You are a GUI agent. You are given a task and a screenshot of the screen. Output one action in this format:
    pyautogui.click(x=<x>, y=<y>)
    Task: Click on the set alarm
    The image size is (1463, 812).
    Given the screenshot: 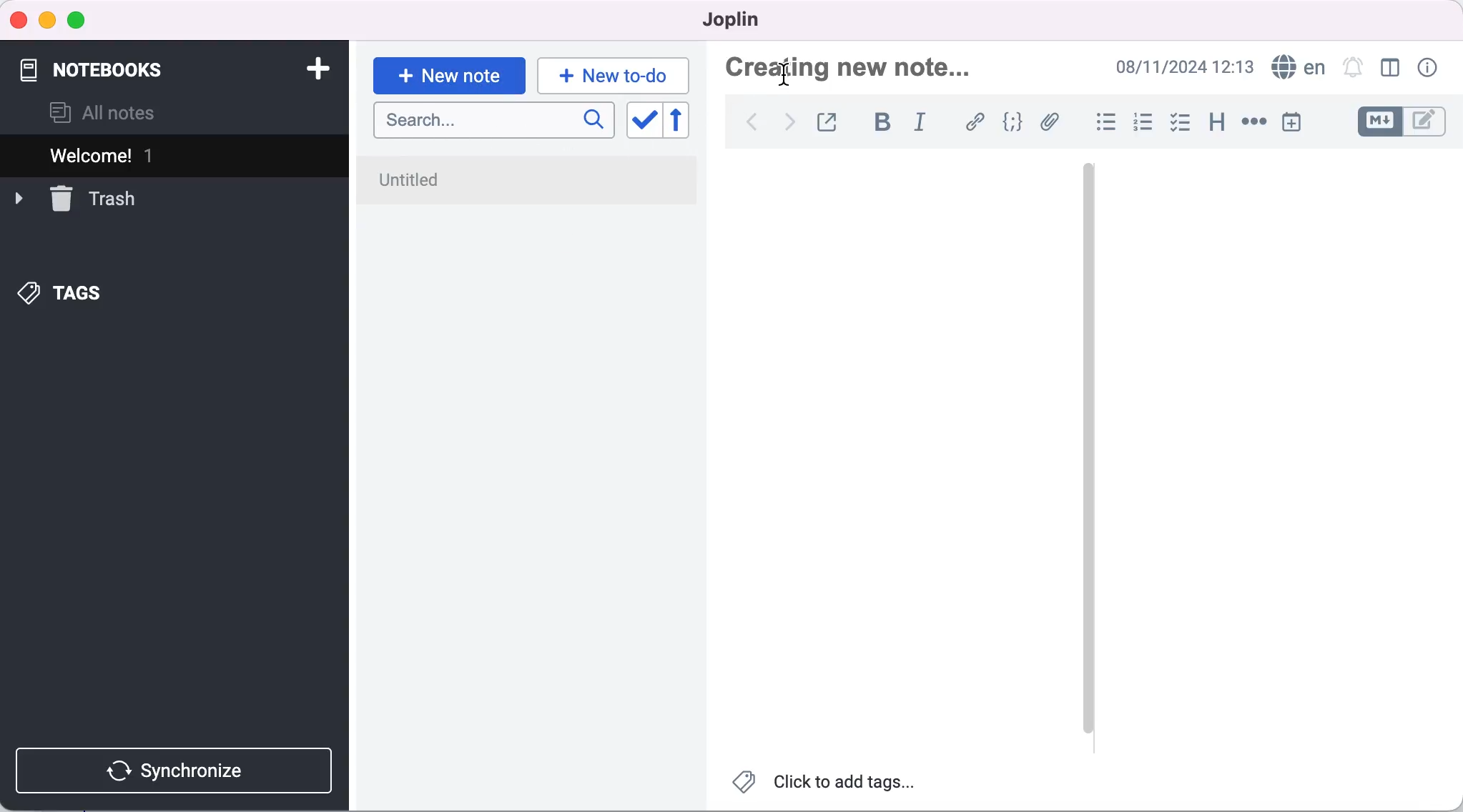 What is the action you would take?
    pyautogui.click(x=1352, y=66)
    